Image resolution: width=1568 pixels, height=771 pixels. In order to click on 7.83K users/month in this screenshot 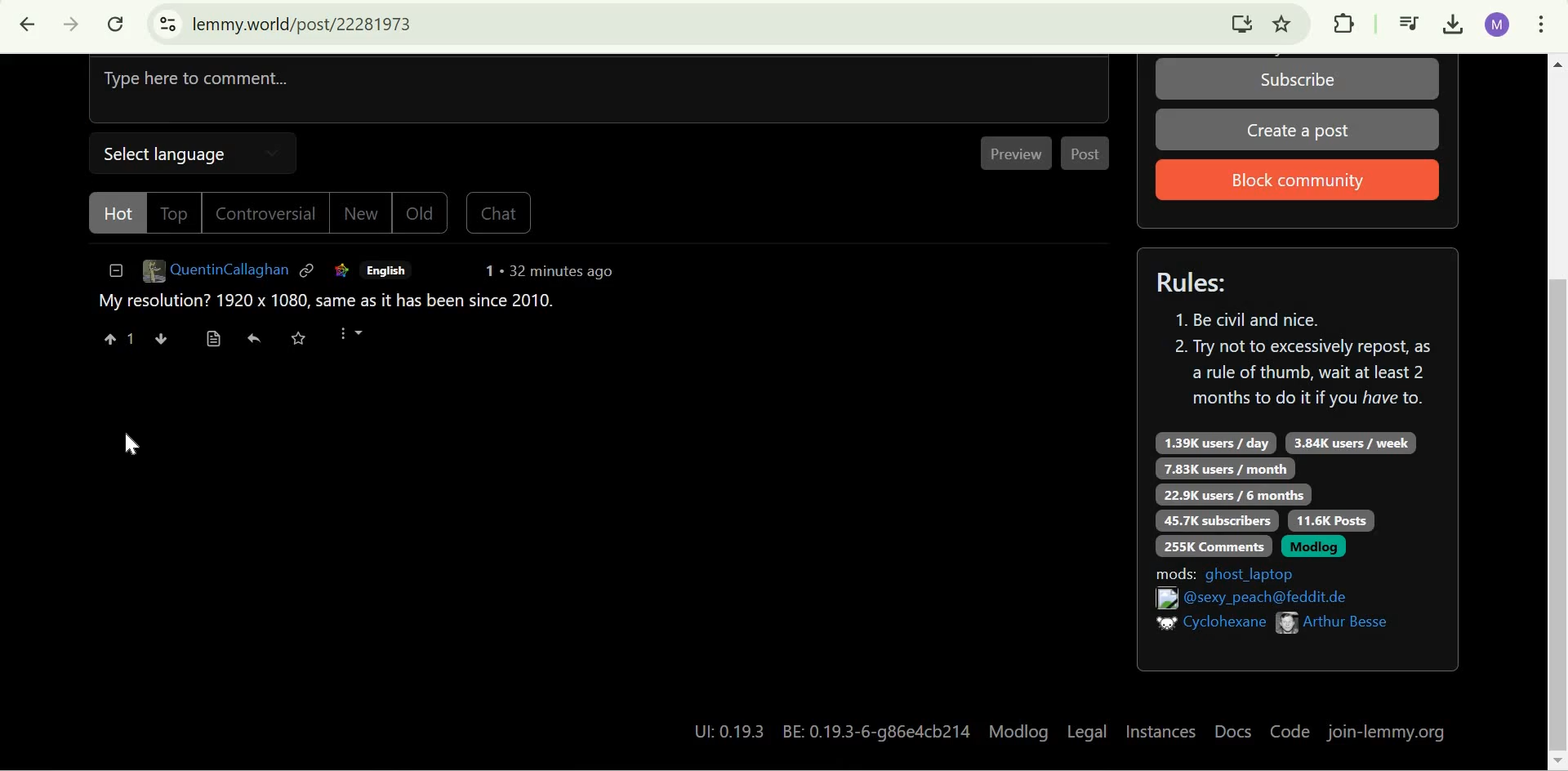, I will do `click(1226, 469)`.